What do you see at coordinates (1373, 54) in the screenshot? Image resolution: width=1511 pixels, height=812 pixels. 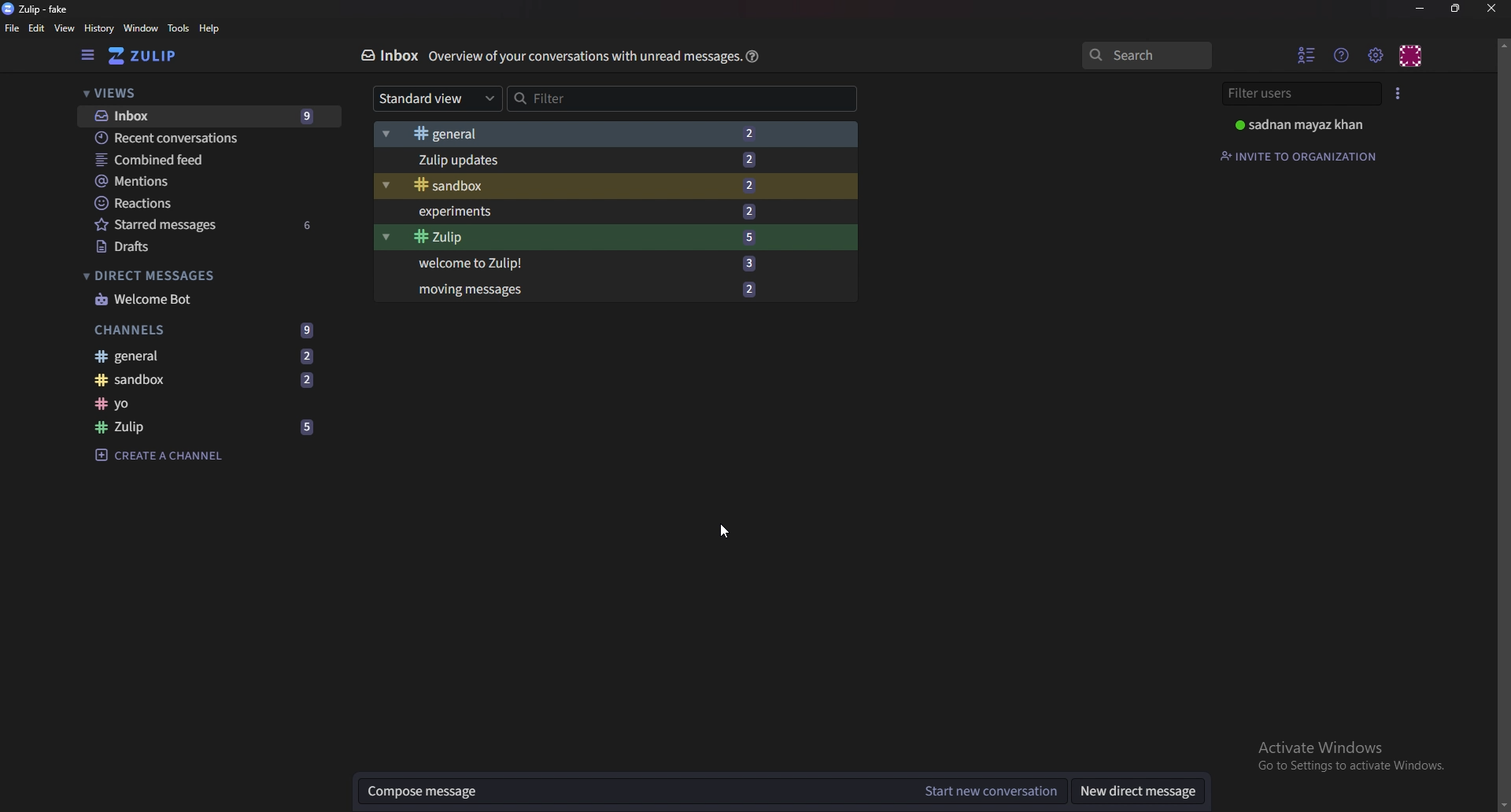 I see `Main menu` at bounding box center [1373, 54].